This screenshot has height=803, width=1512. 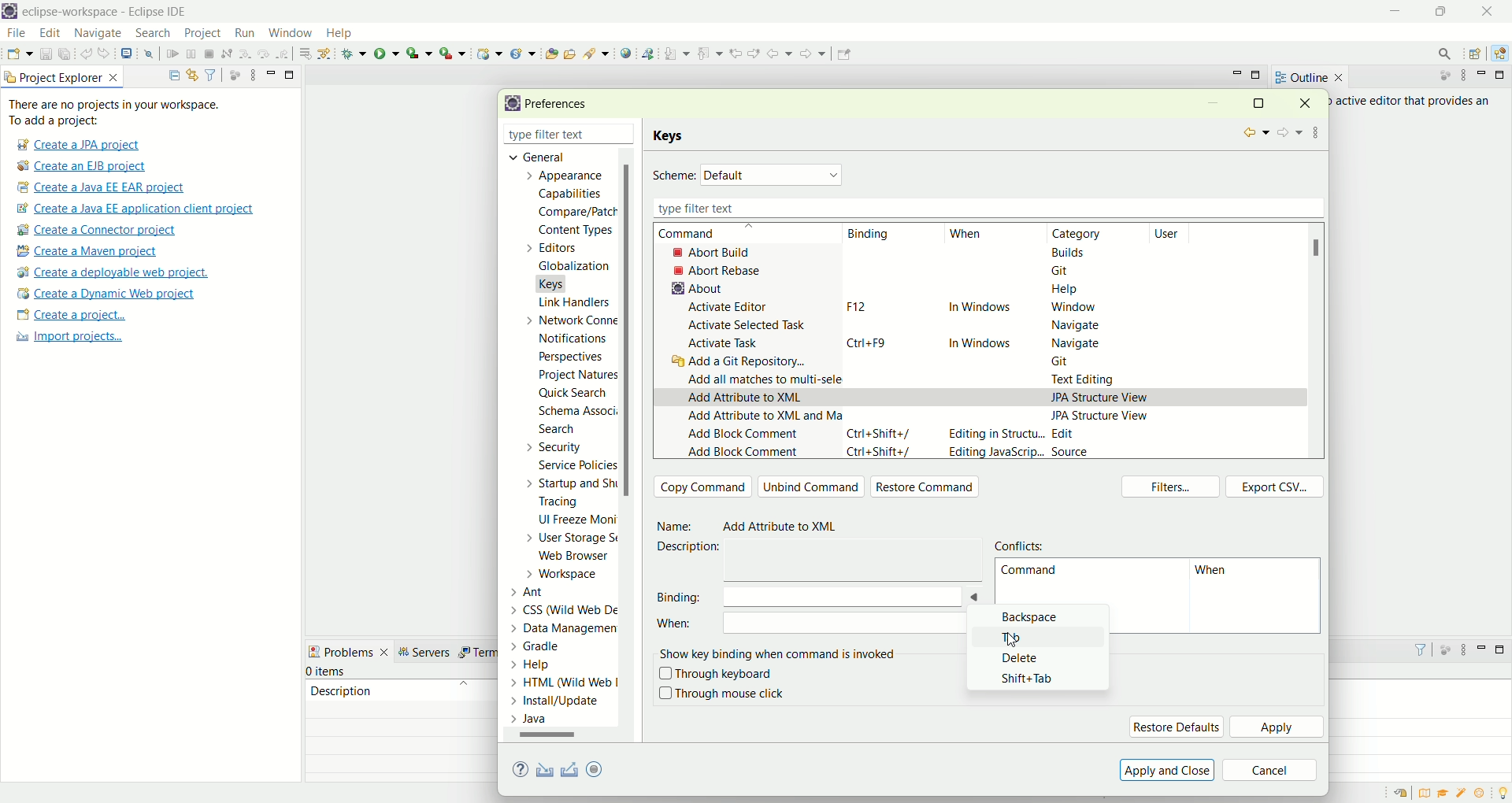 I want to click on scheme, so click(x=674, y=176).